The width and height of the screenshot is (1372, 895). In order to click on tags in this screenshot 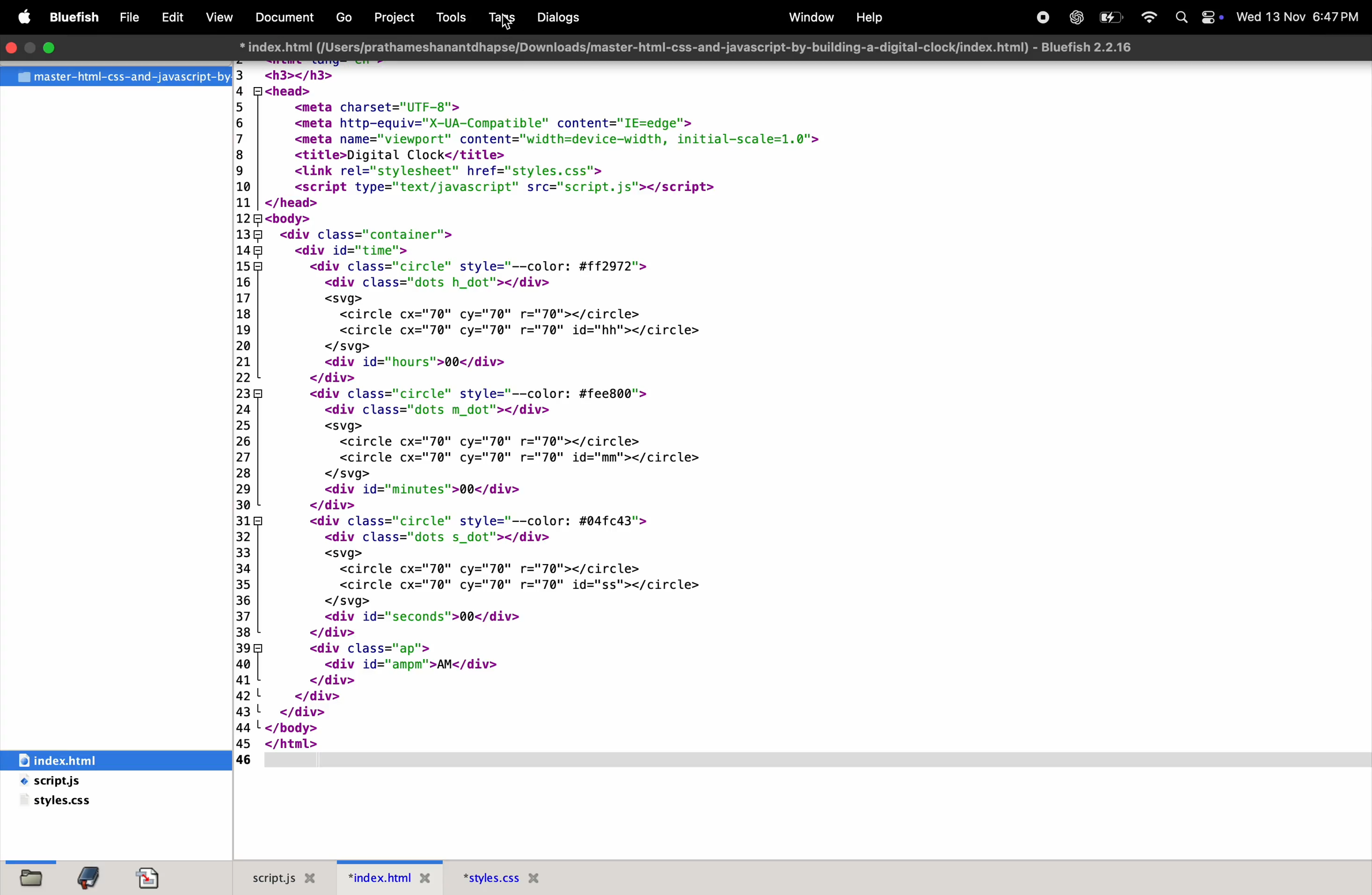, I will do `click(497, 19)`.